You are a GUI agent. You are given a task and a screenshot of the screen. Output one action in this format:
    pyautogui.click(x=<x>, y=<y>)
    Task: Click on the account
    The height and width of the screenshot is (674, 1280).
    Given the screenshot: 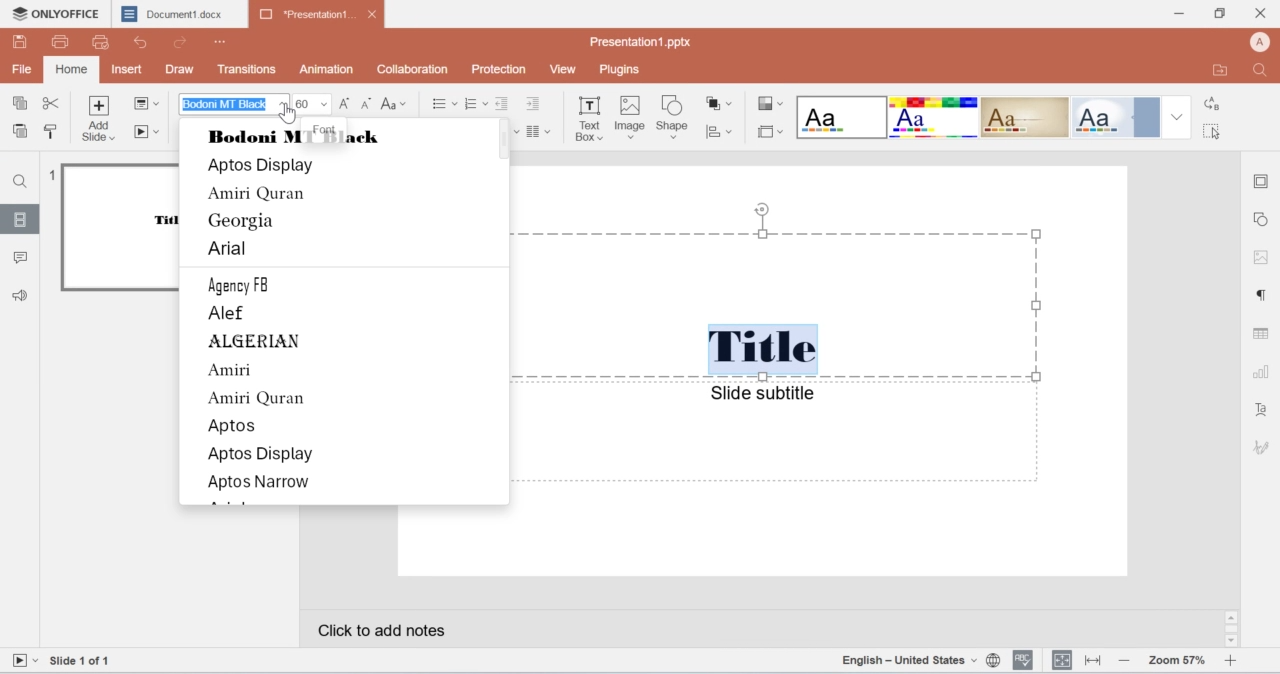 What is the action you would take?
    pyautogui.click(x=1262, y=41)
    